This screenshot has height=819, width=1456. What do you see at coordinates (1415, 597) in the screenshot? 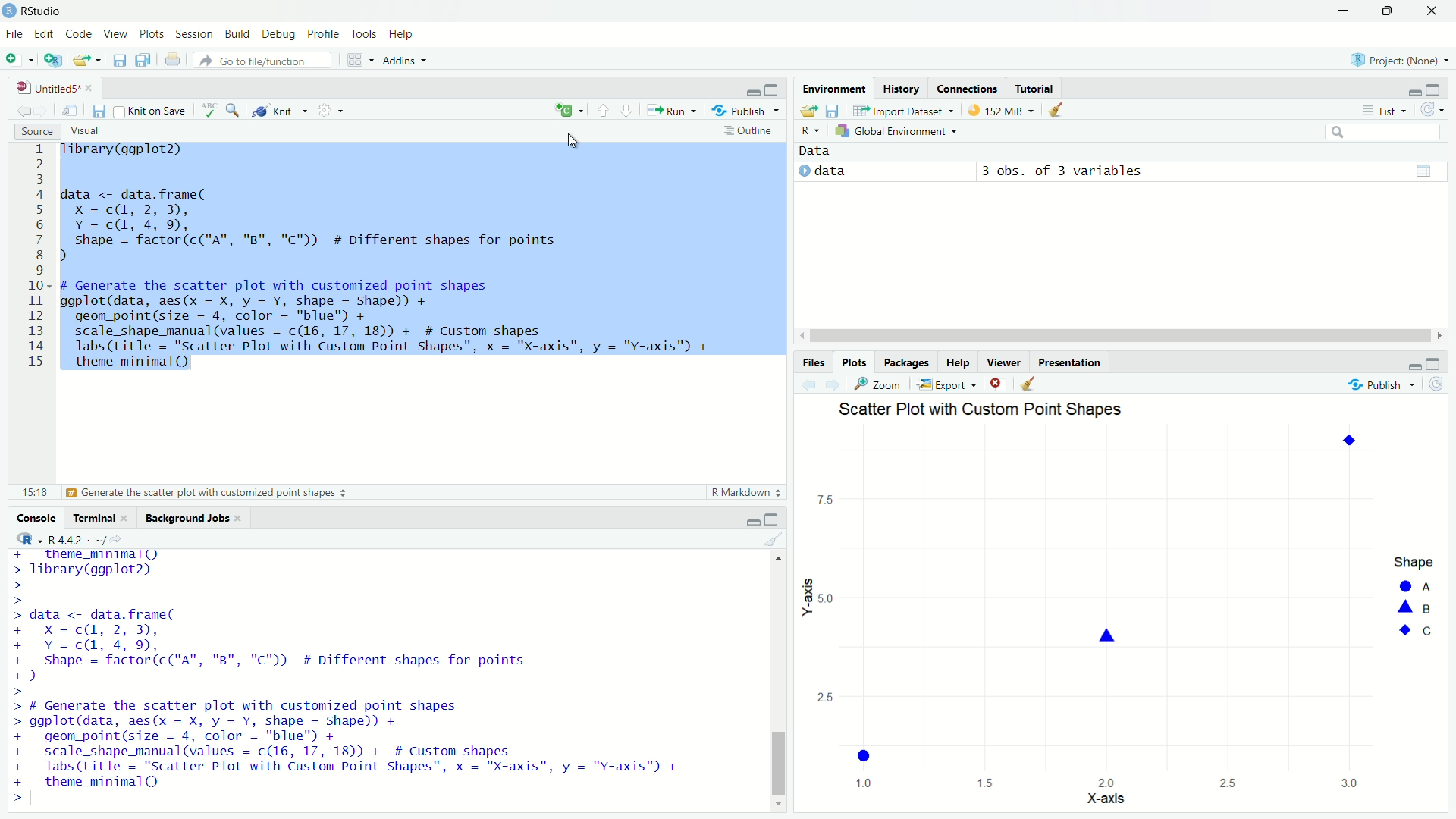
I see `legend` at bounding box center [1415, 597].